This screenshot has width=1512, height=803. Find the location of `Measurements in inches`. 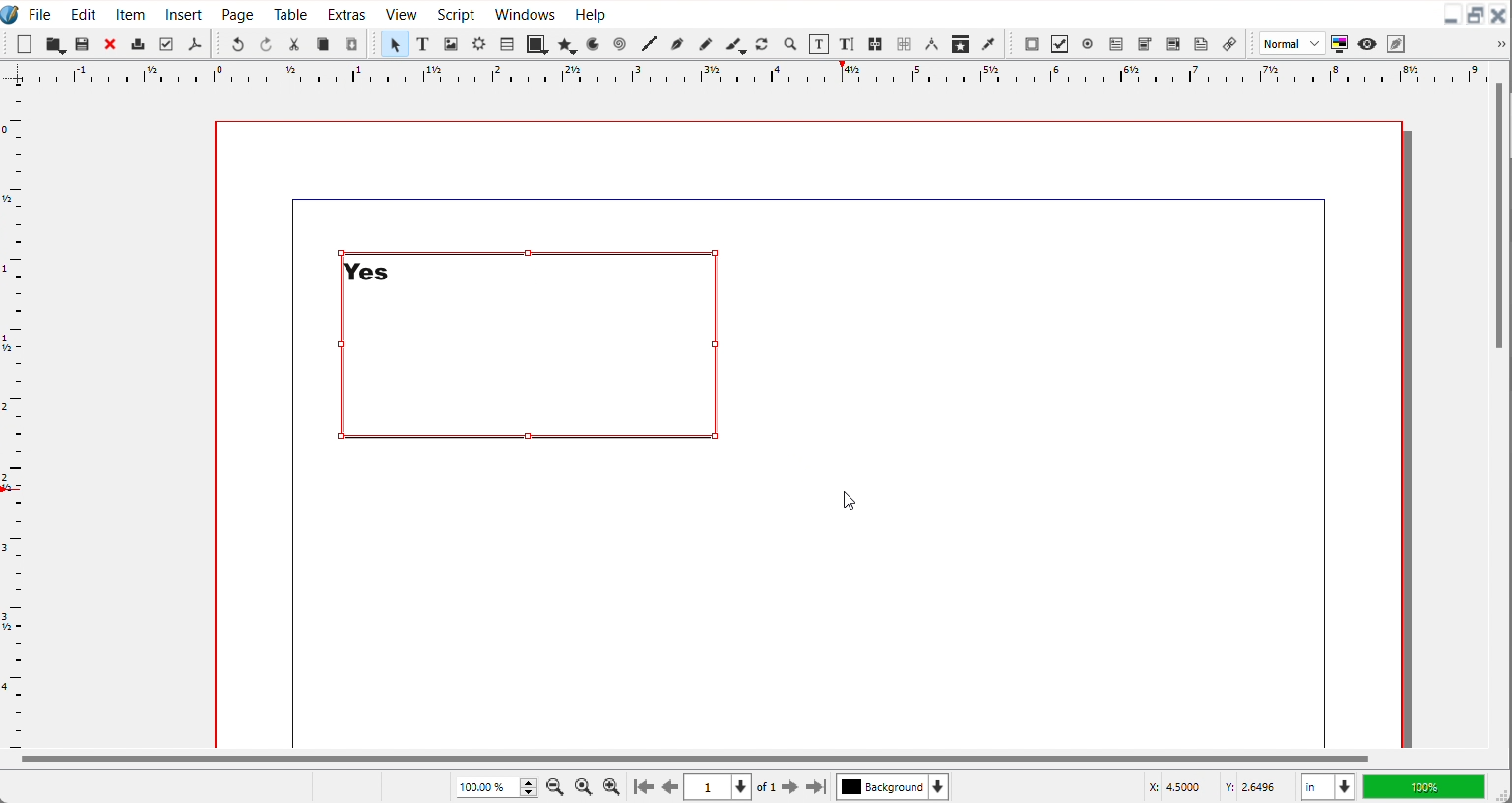

Measurements in inches is located at coordinates (1328, 787).